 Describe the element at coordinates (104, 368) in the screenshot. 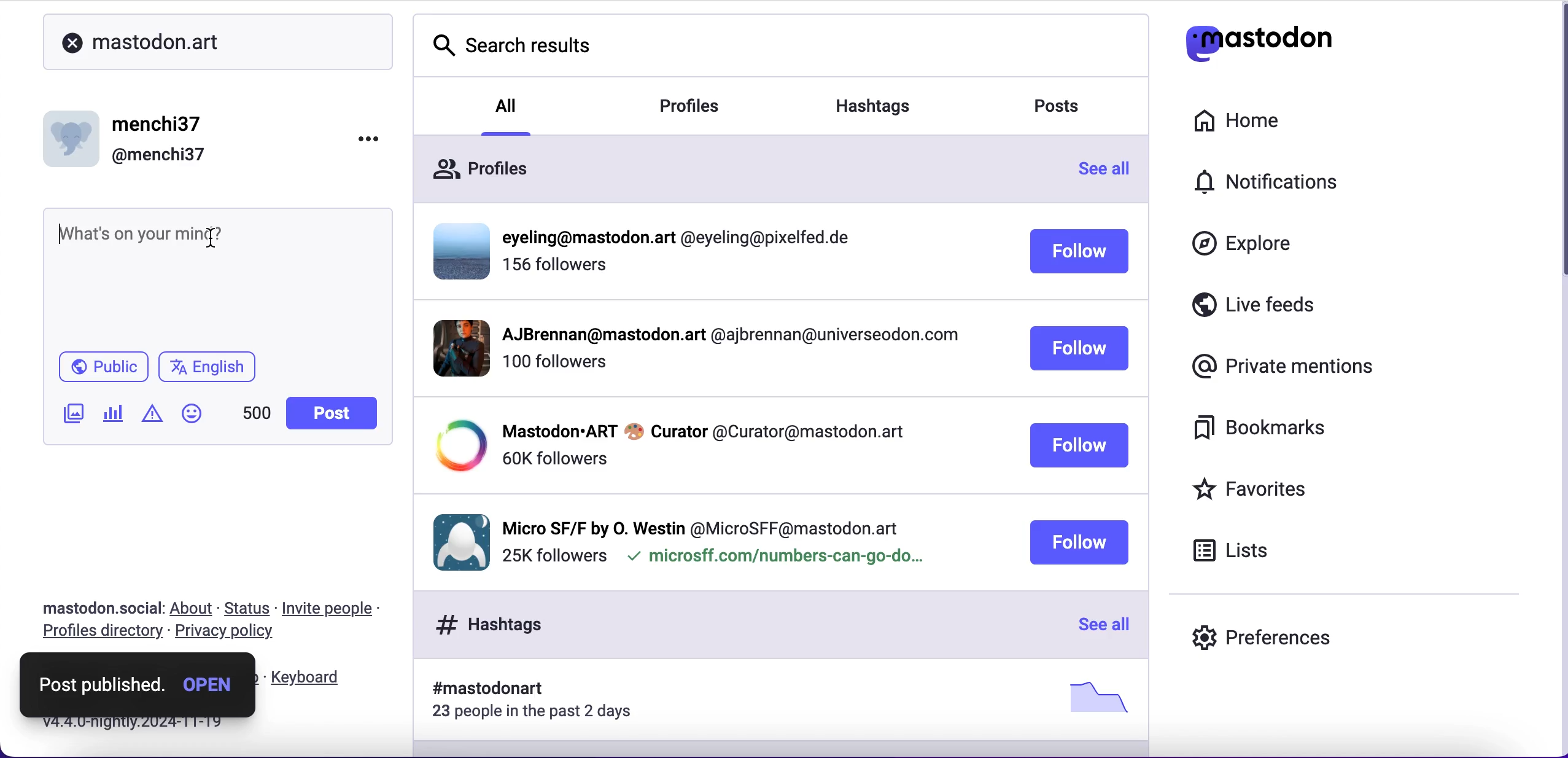

I see `public` at that location.